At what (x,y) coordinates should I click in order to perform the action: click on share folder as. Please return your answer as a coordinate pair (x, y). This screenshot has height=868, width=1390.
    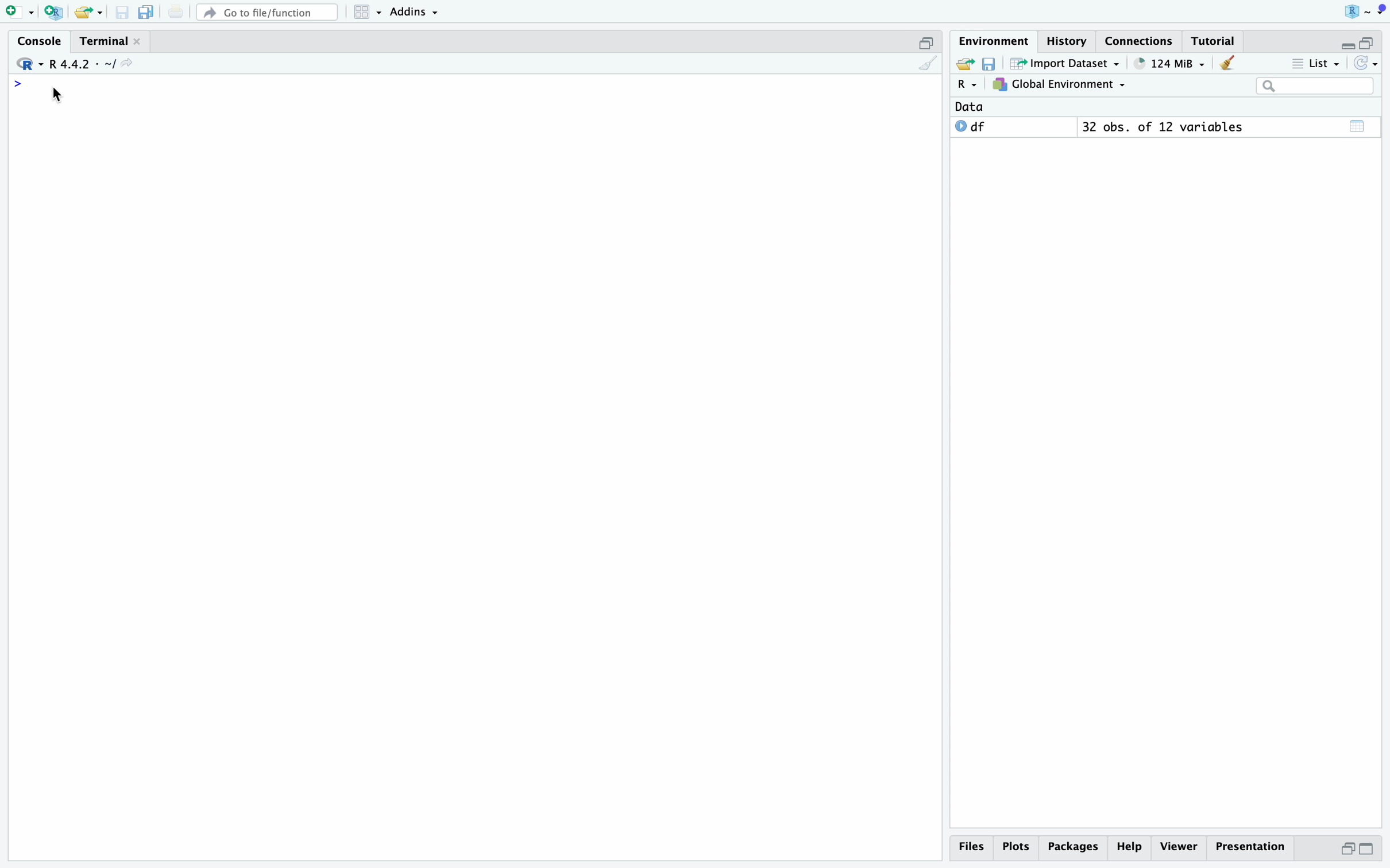
    Looking at the image, I should click on (89, 13).